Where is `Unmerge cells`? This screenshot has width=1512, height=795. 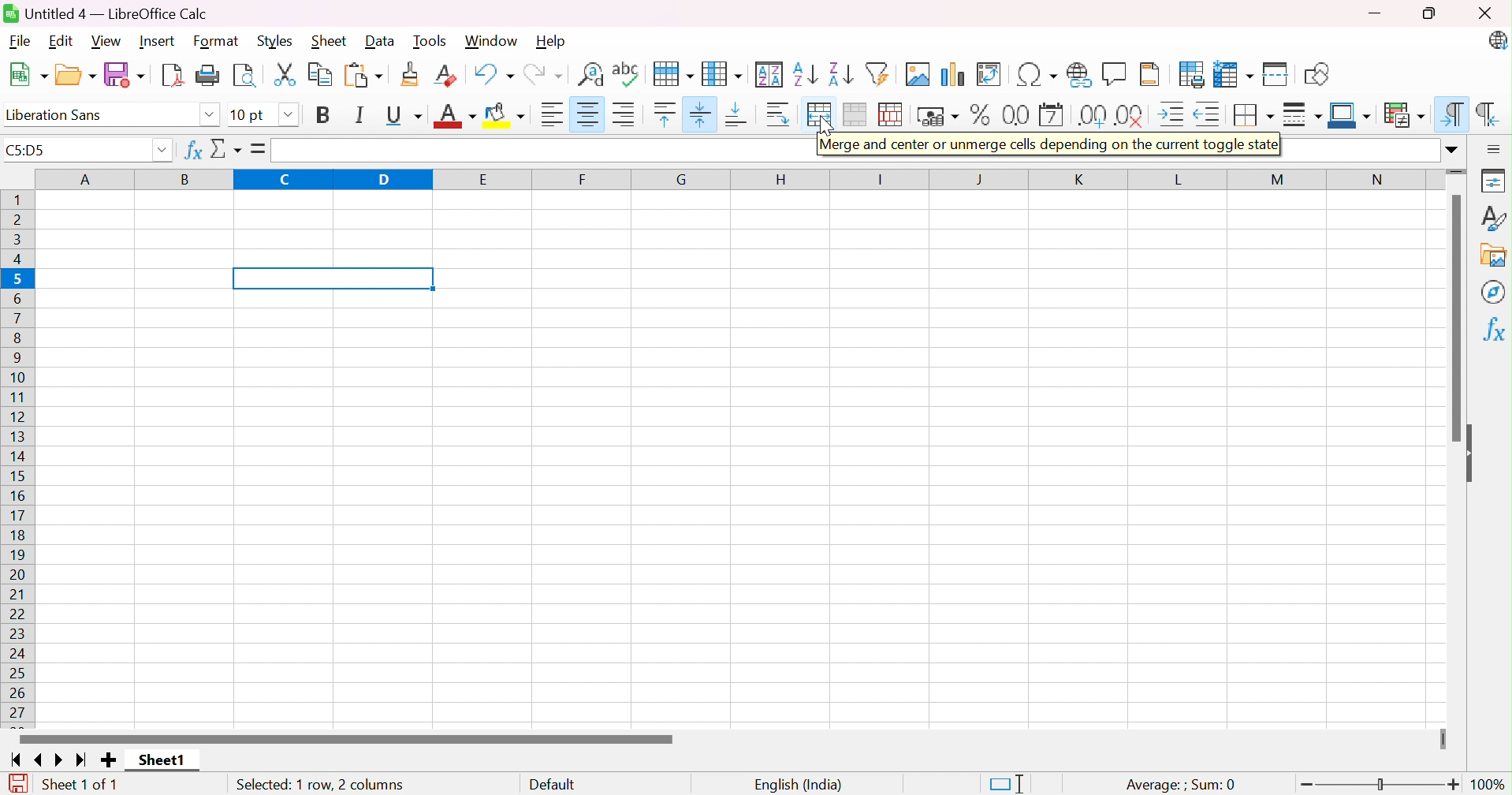 Unmerge cells is located at coordinates (895, 114).